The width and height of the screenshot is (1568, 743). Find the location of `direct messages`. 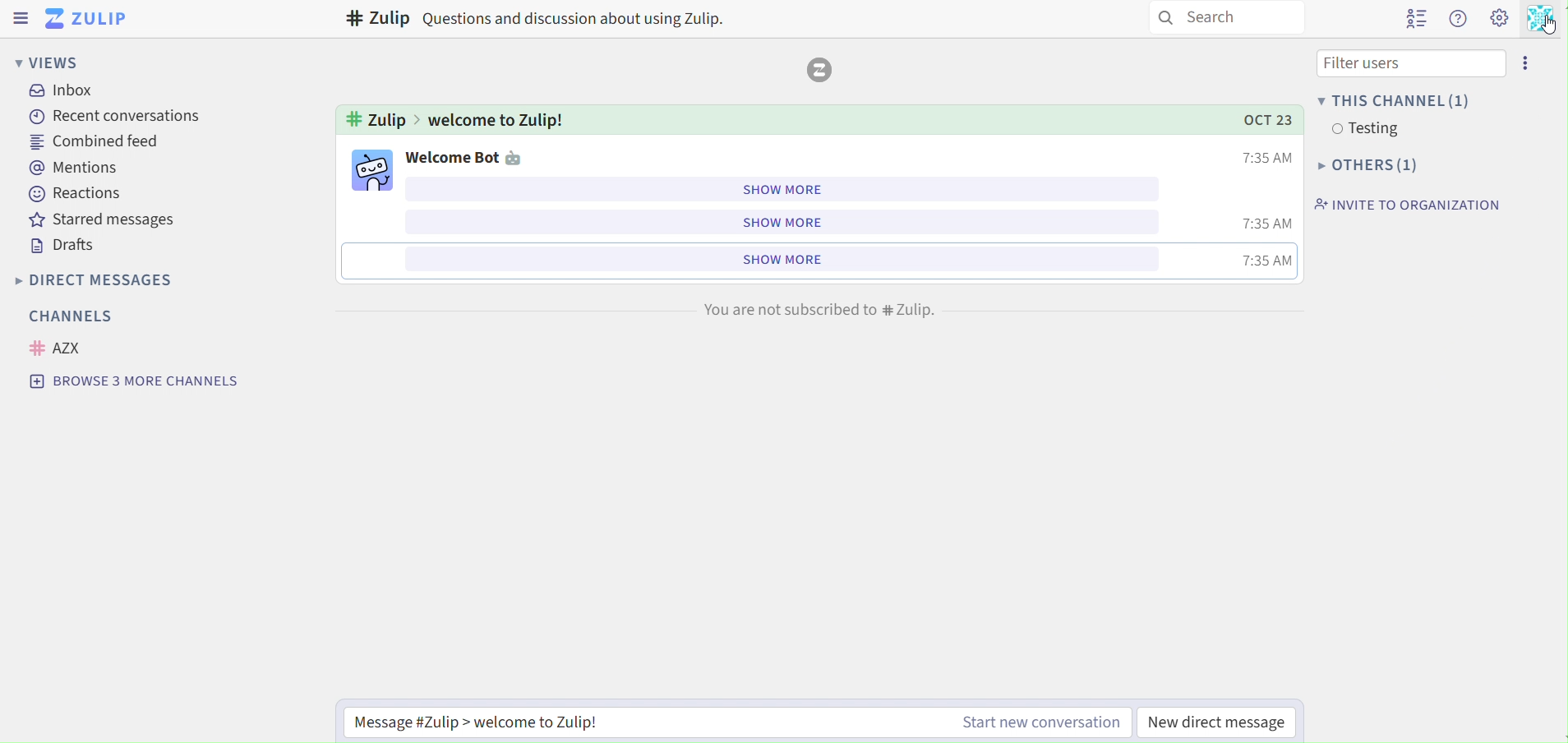

direct messages is located at coordinates (113, 279).